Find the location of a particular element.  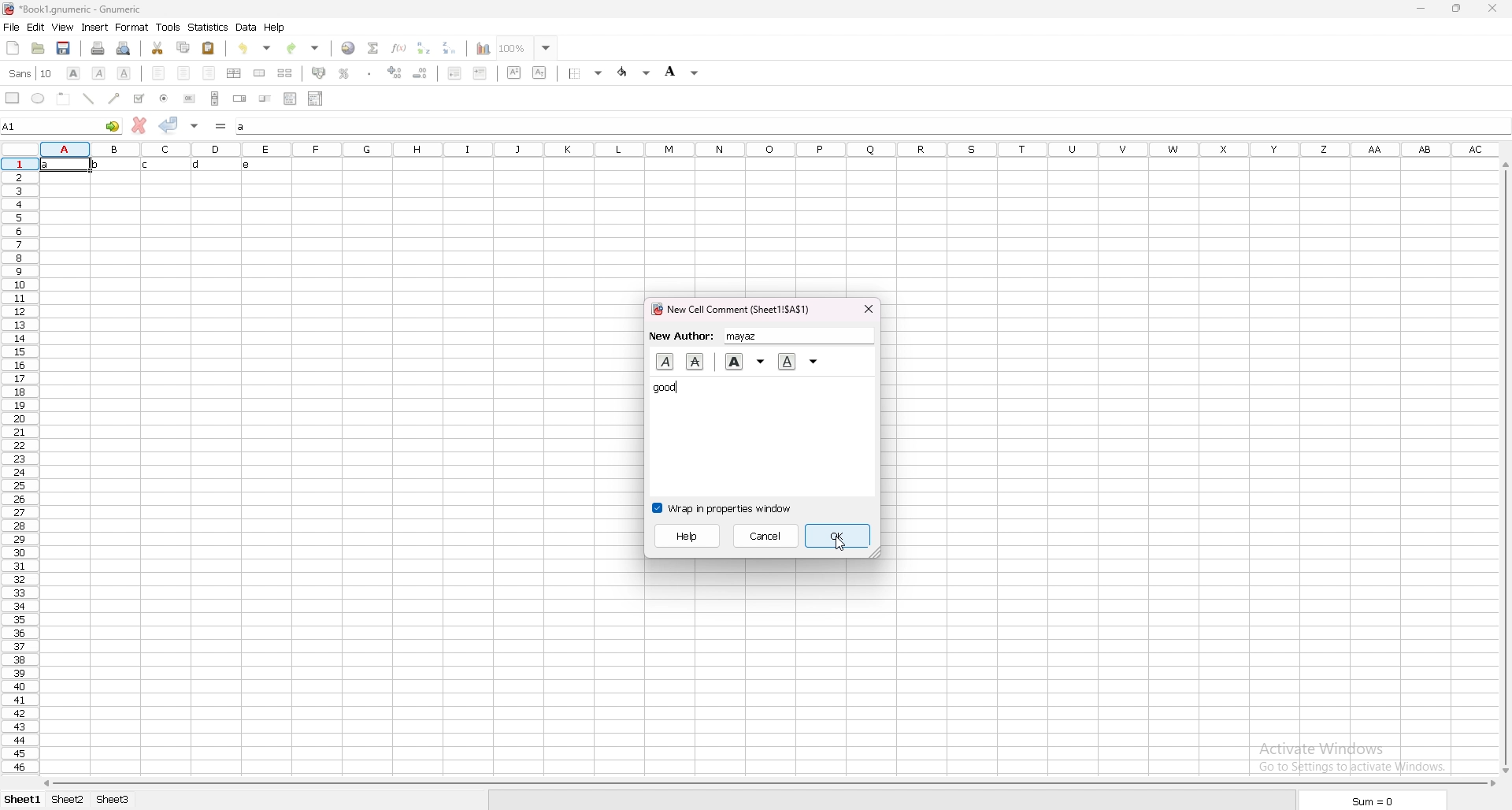

left align is located at coordinates (157, 72).